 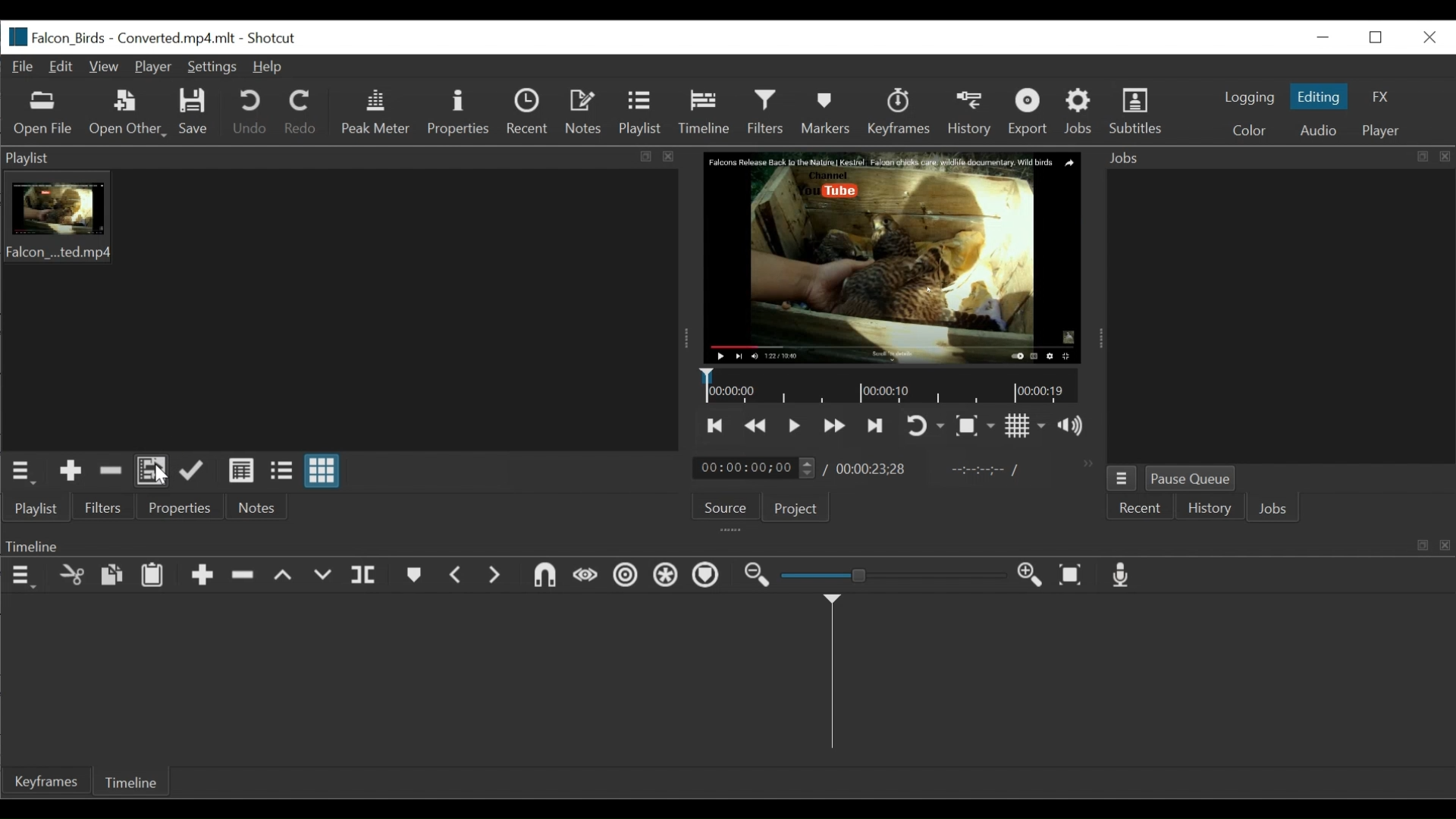 I want to click on Play quickly backward, so click(x=758, y=427).